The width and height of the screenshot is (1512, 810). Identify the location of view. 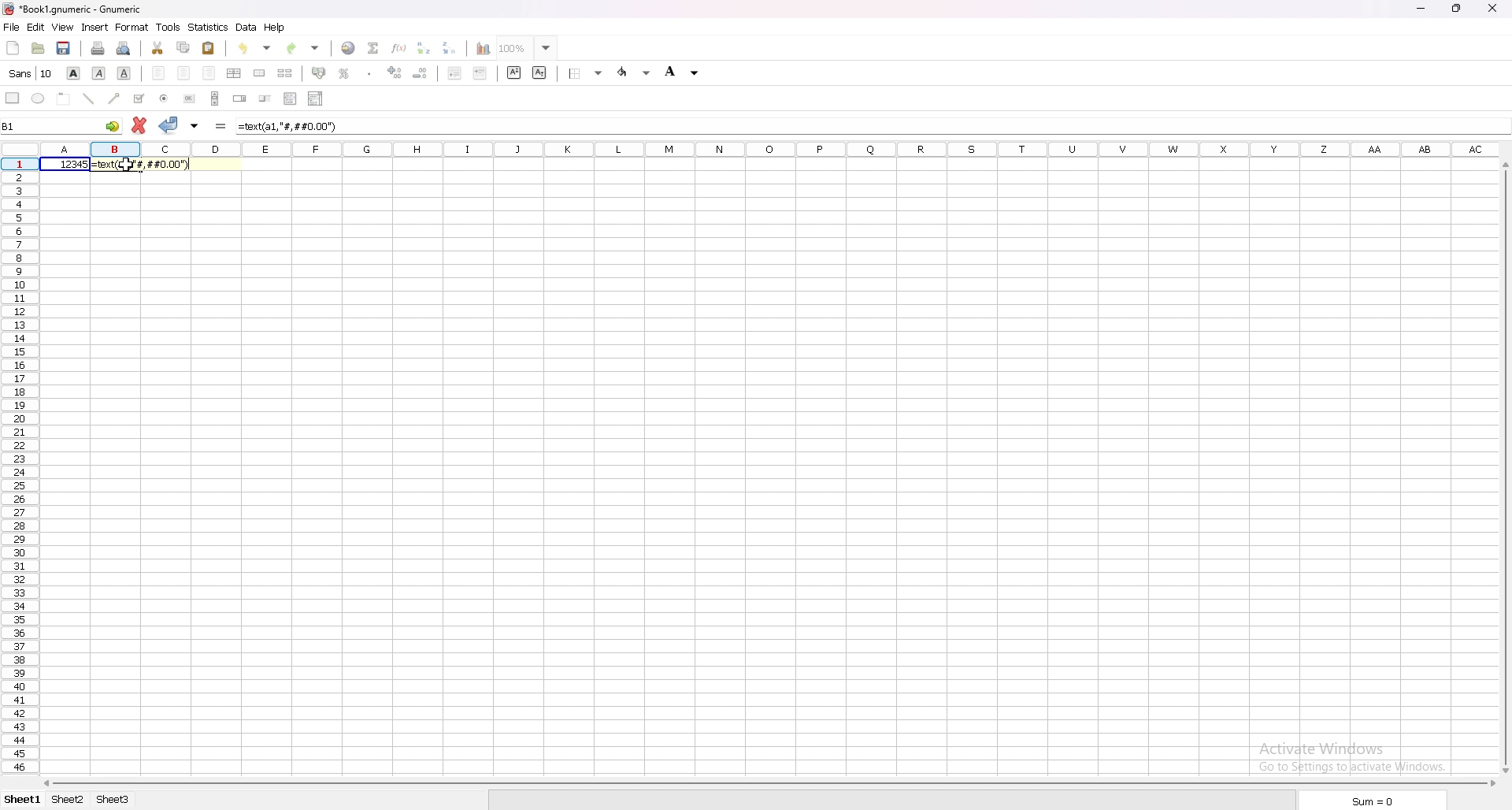
(63, 28).